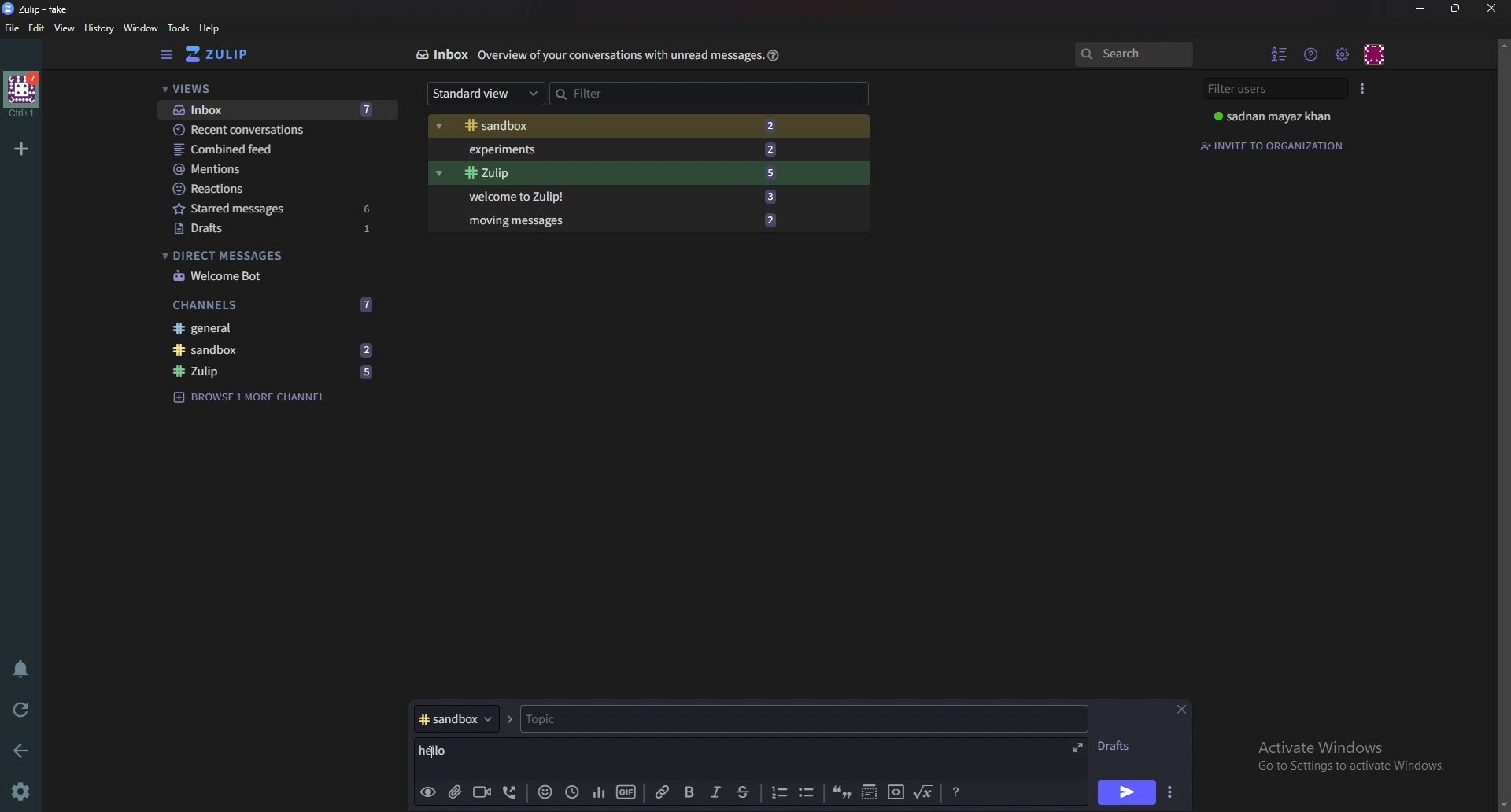 The height and width of the screenshot is (812, 1511). I want to click on topic, so click(576, 718).